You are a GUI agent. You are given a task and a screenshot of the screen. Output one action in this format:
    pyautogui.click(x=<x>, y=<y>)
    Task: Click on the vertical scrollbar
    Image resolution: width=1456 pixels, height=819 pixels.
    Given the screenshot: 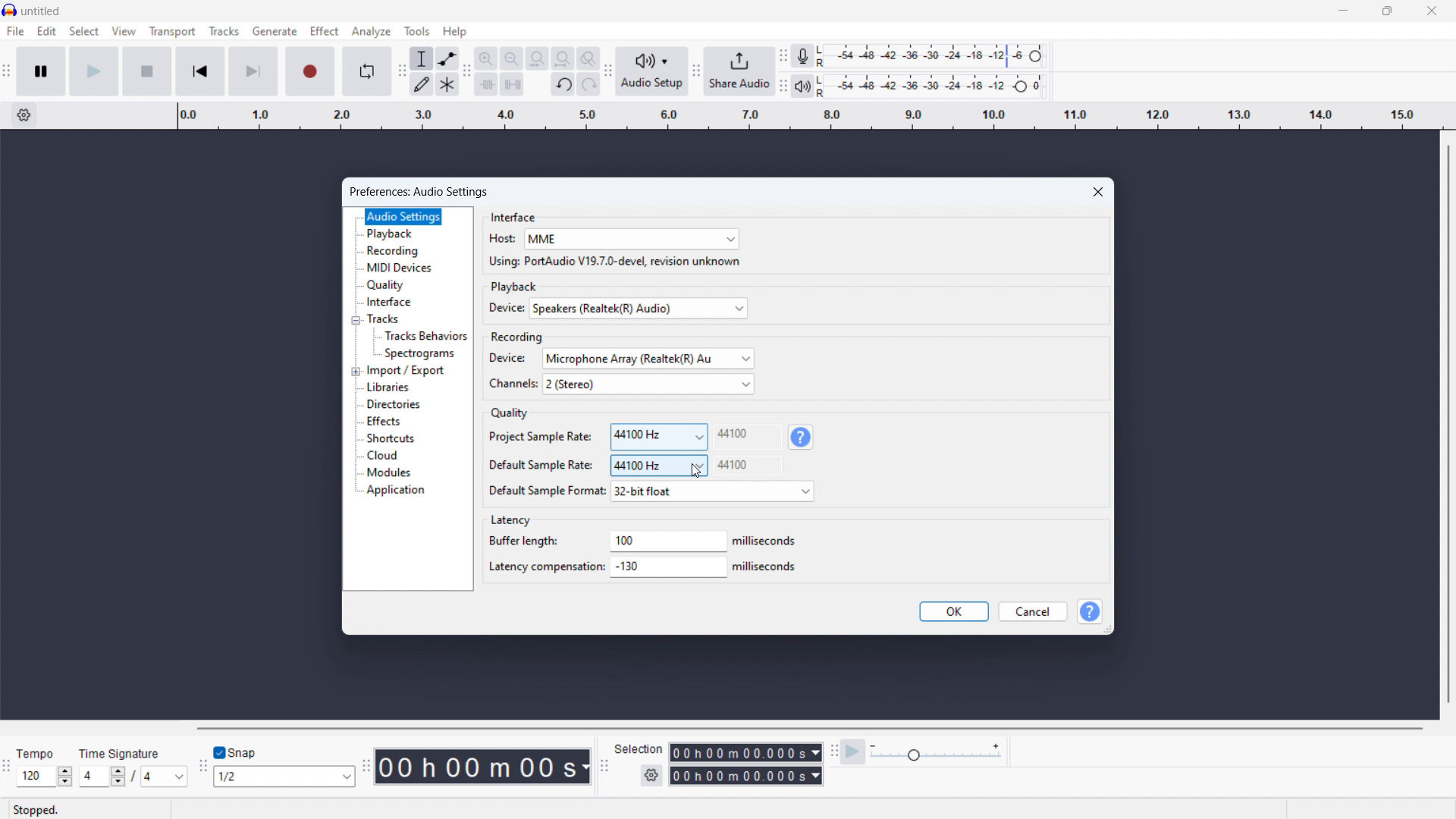 What is the action you would take?
    pyautogui.click(x=1449, y=422)
    